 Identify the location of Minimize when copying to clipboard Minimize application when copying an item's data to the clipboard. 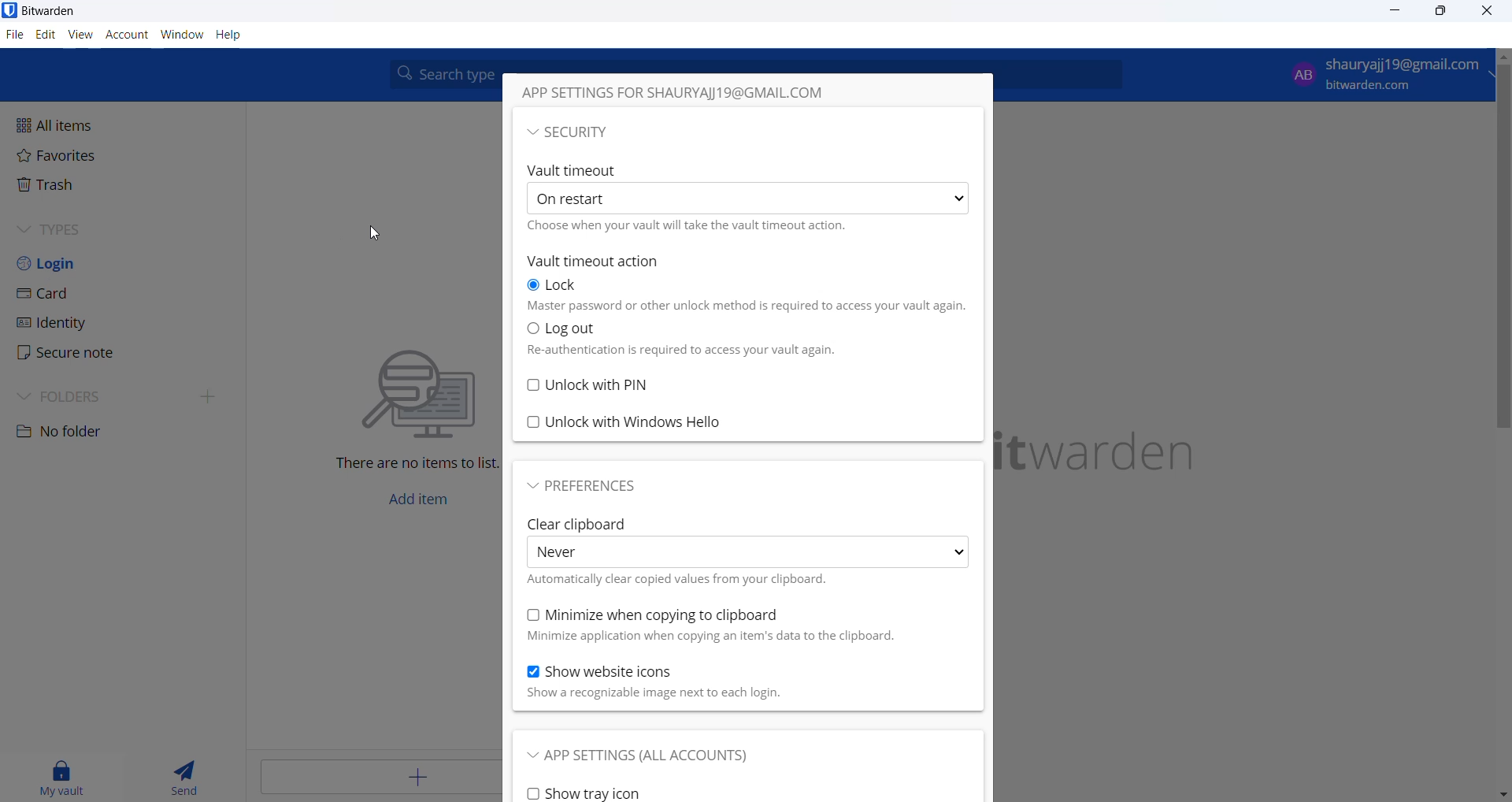
(707, 626).